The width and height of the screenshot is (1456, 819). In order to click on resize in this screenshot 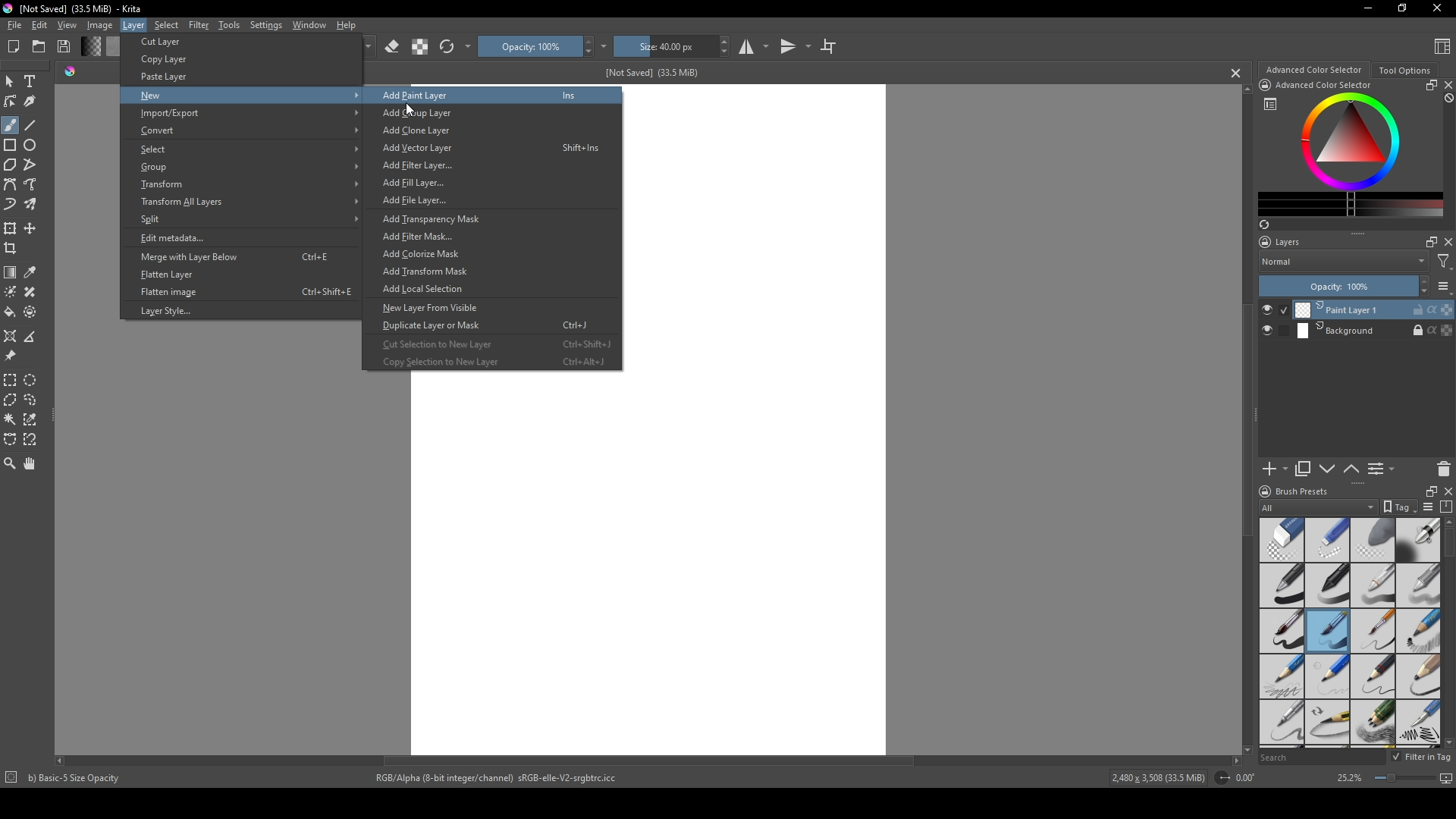, I will do `click(1401, 9)`.